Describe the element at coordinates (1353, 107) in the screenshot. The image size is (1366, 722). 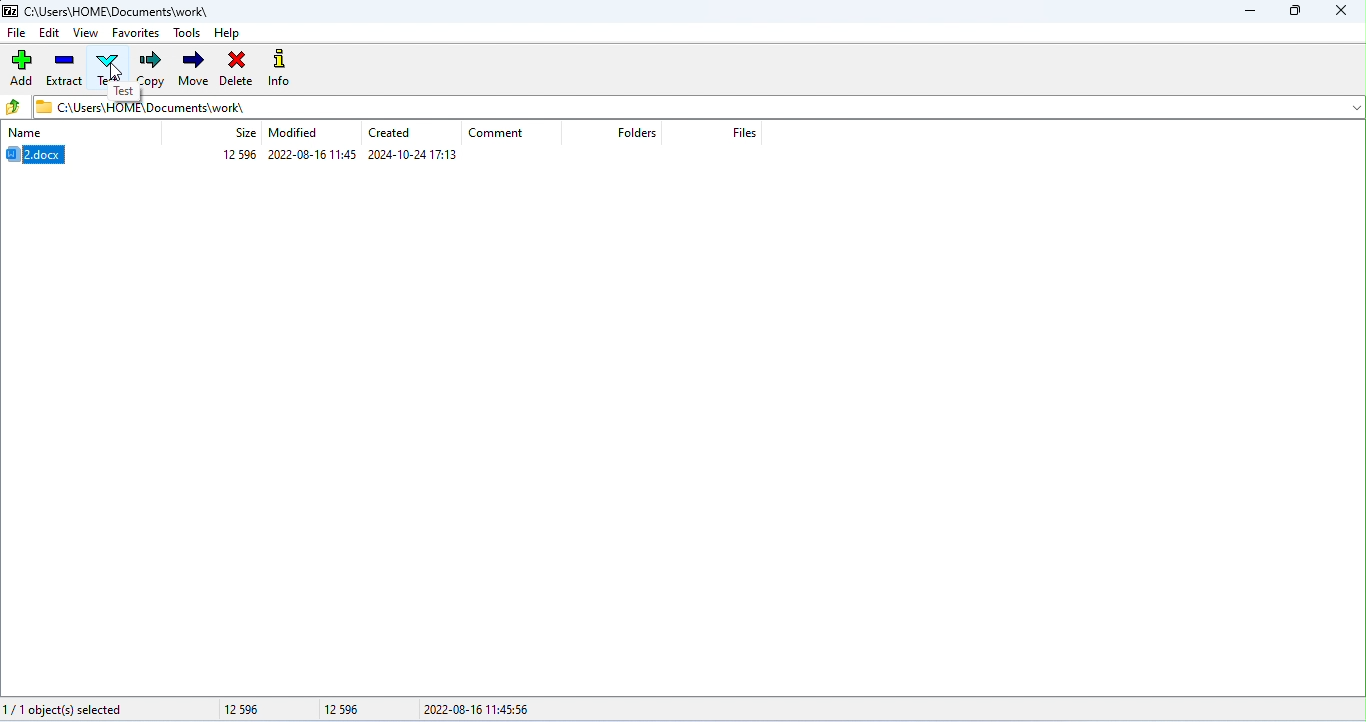
I see `drop-down` at that location.